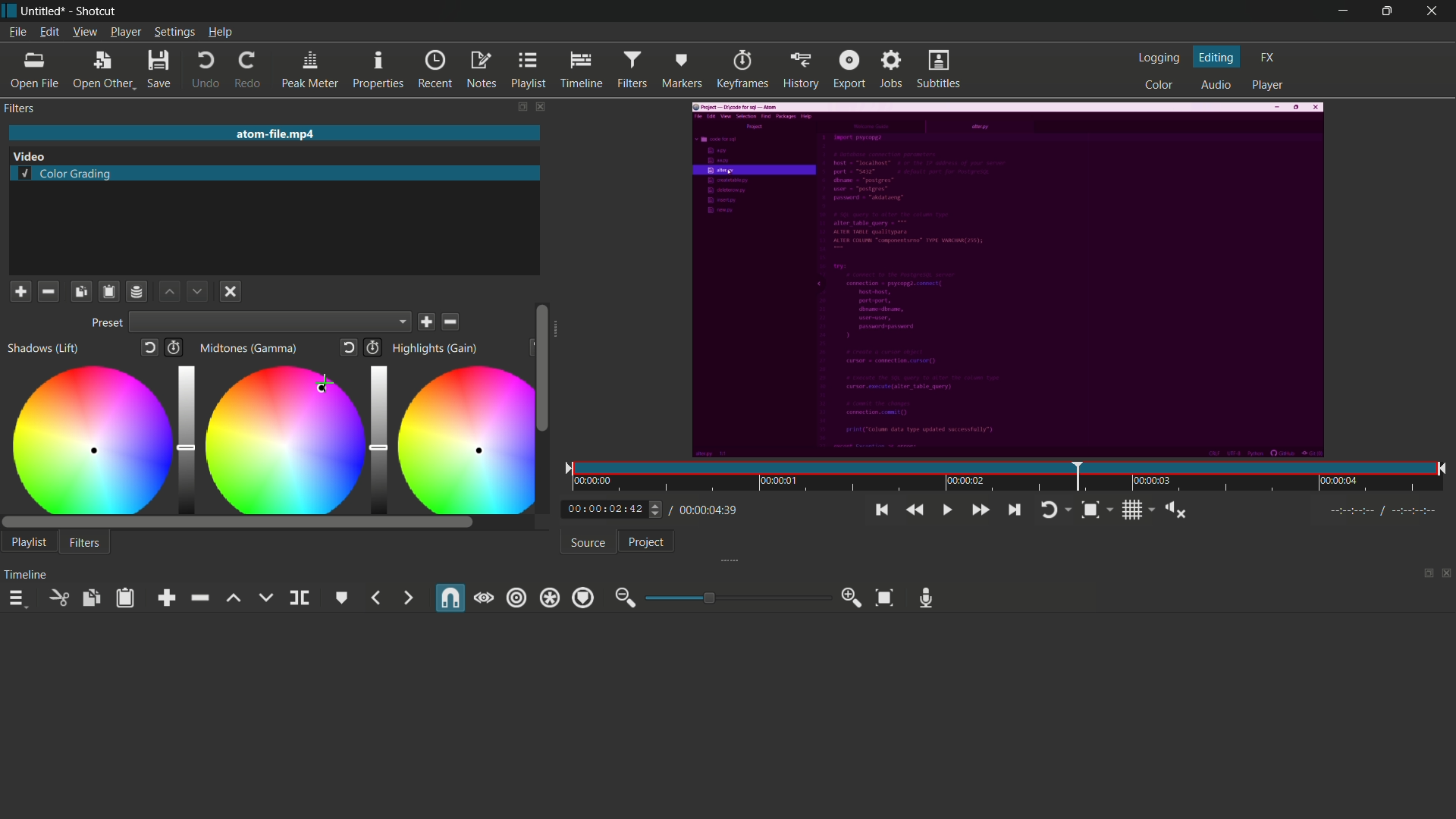  I want to click on create or edit marker, so click(342, 598).